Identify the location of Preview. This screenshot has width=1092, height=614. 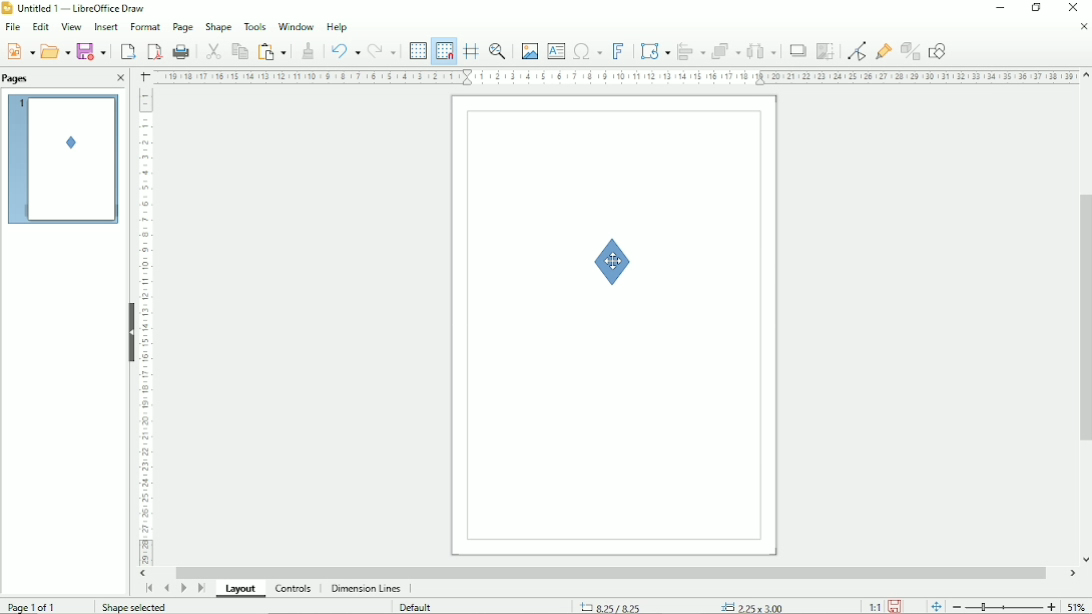
(64, 160).